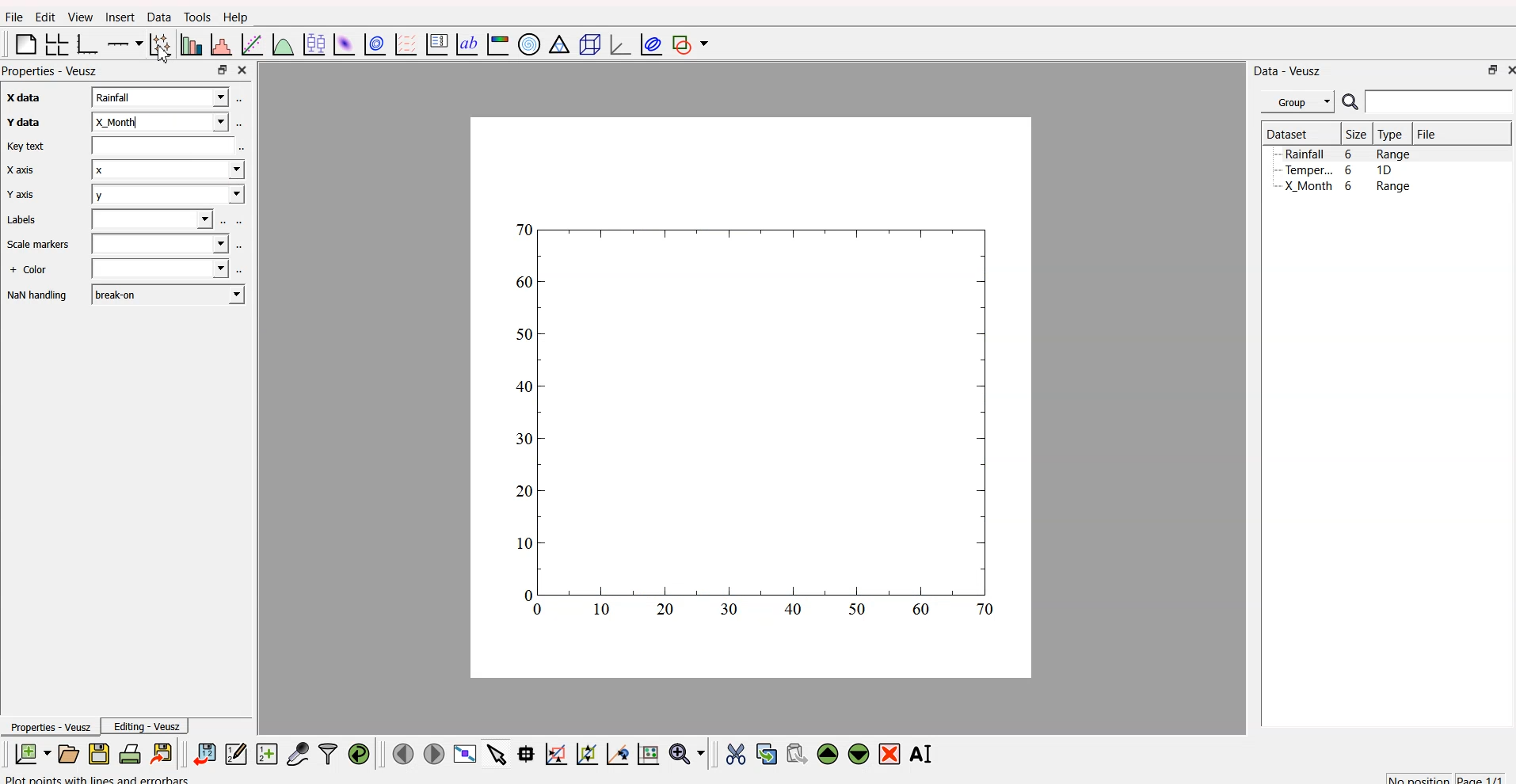  What do you see at coordinates (584, 754) in the screenshot?
I see `draw points` at bounding box center [584, 754].